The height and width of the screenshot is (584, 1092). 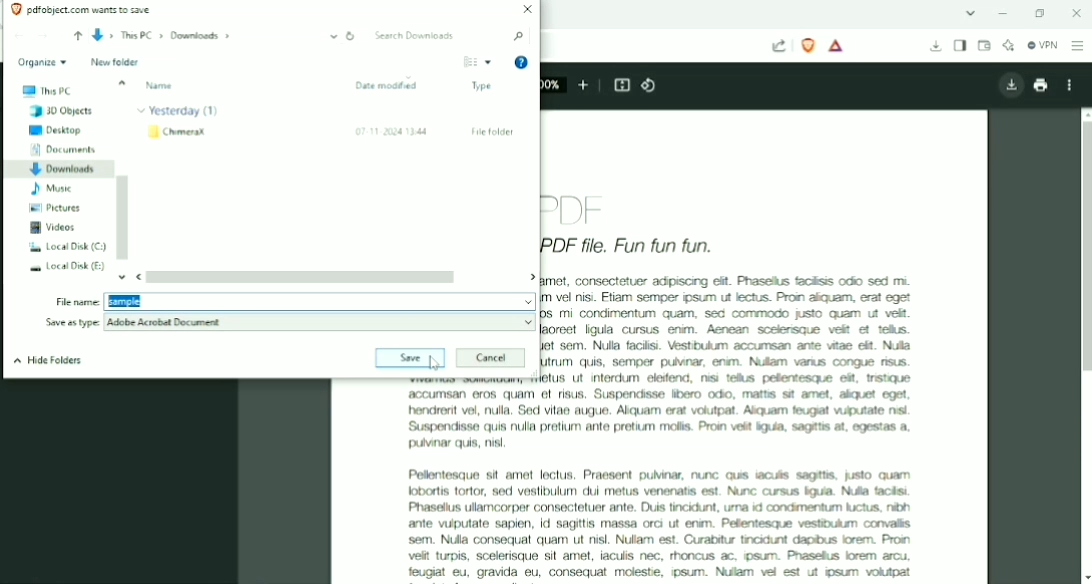 What do you see at coordinates (114, 62) in the screenshot?
I see `New folder` at bounding box center [114, 62].